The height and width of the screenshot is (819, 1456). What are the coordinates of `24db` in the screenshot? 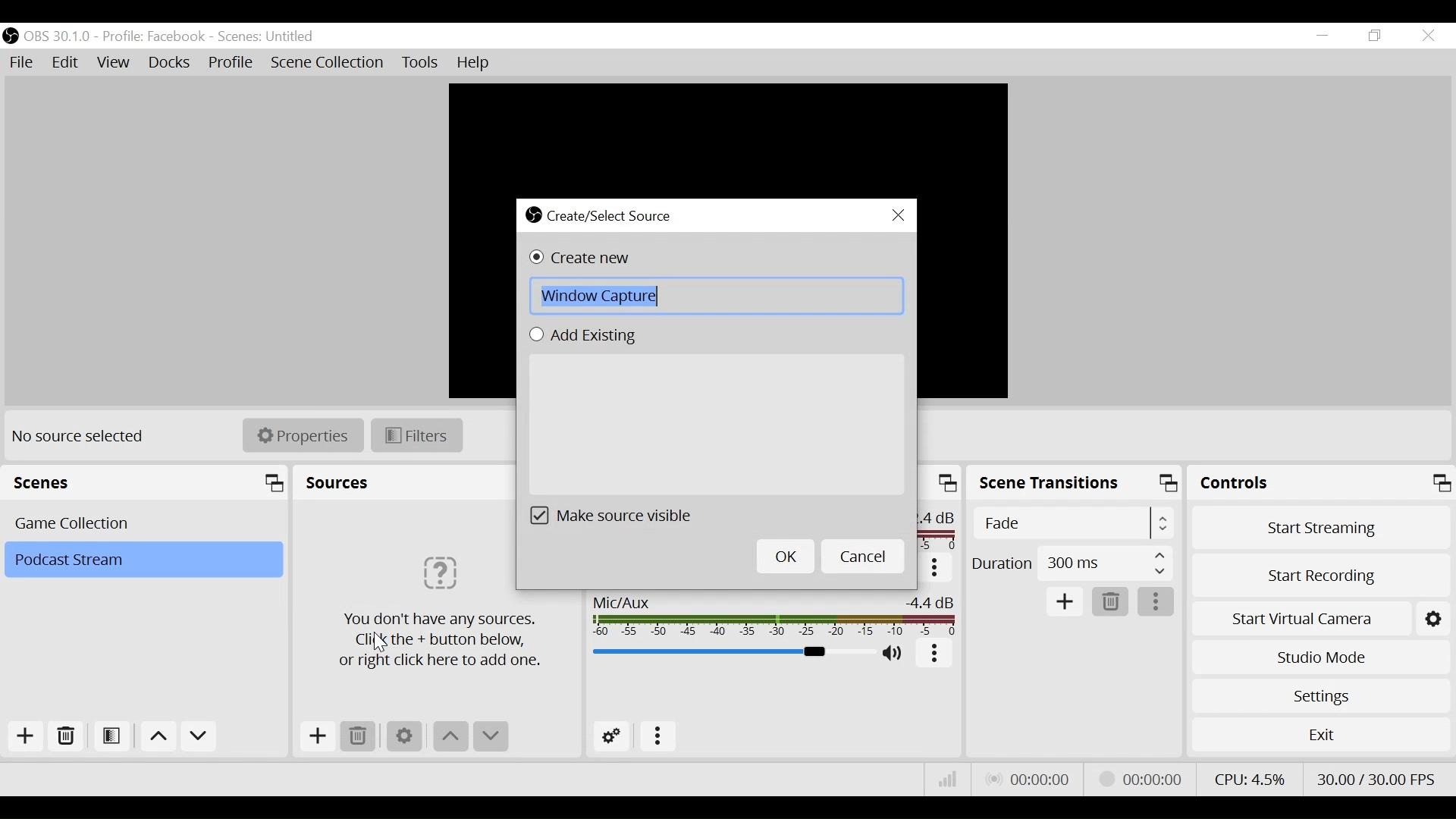 It's located at (939, 517).